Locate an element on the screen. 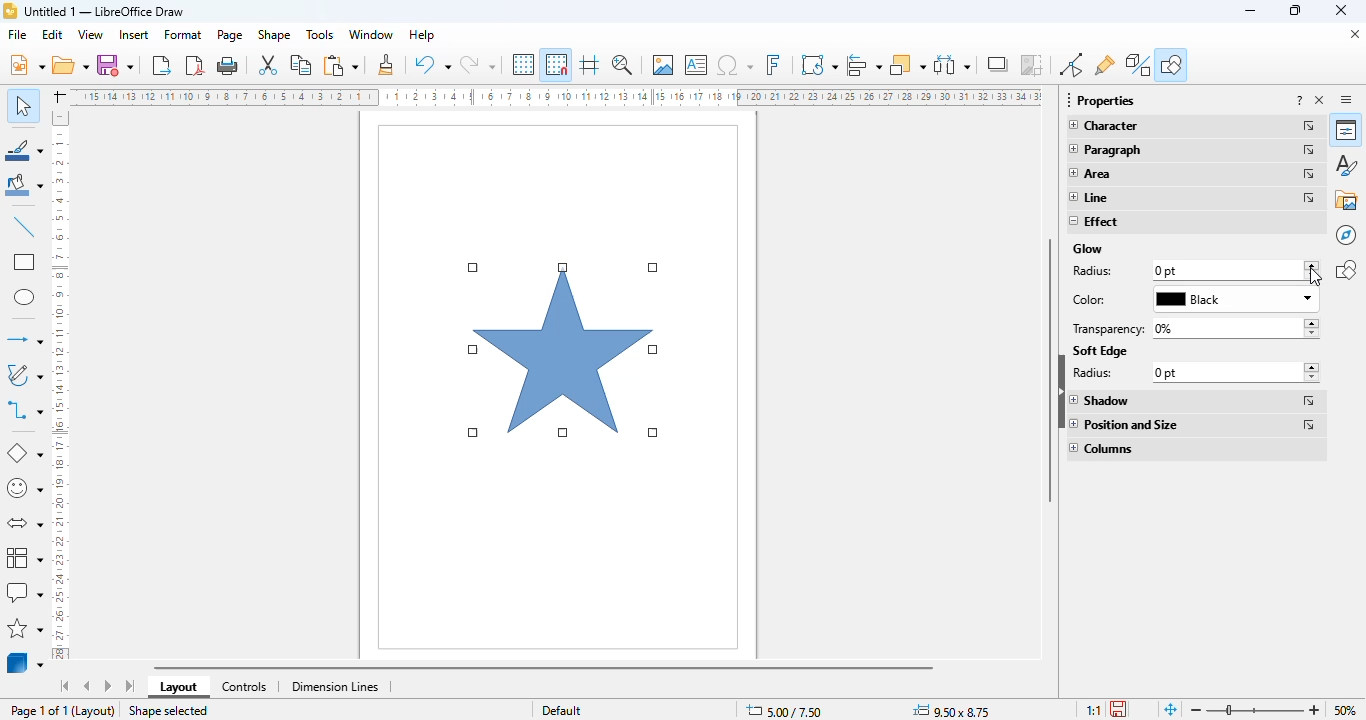 The width and height of the screenshot is (1366, 720). layout is located at coordinates (178, 687).